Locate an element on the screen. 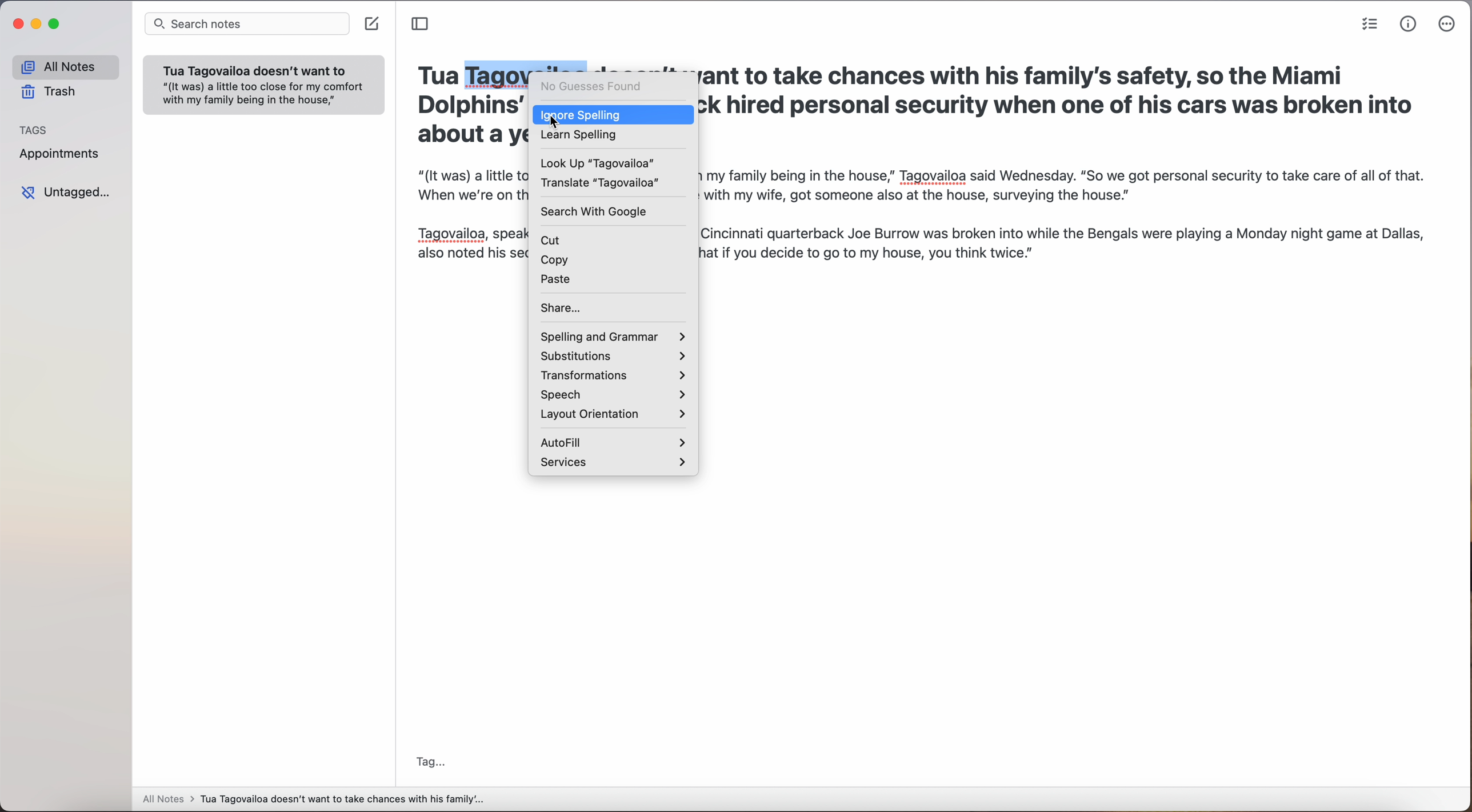 This screenshot has width=1472, height=812. layout orientation is located at coordinates (613, 414).